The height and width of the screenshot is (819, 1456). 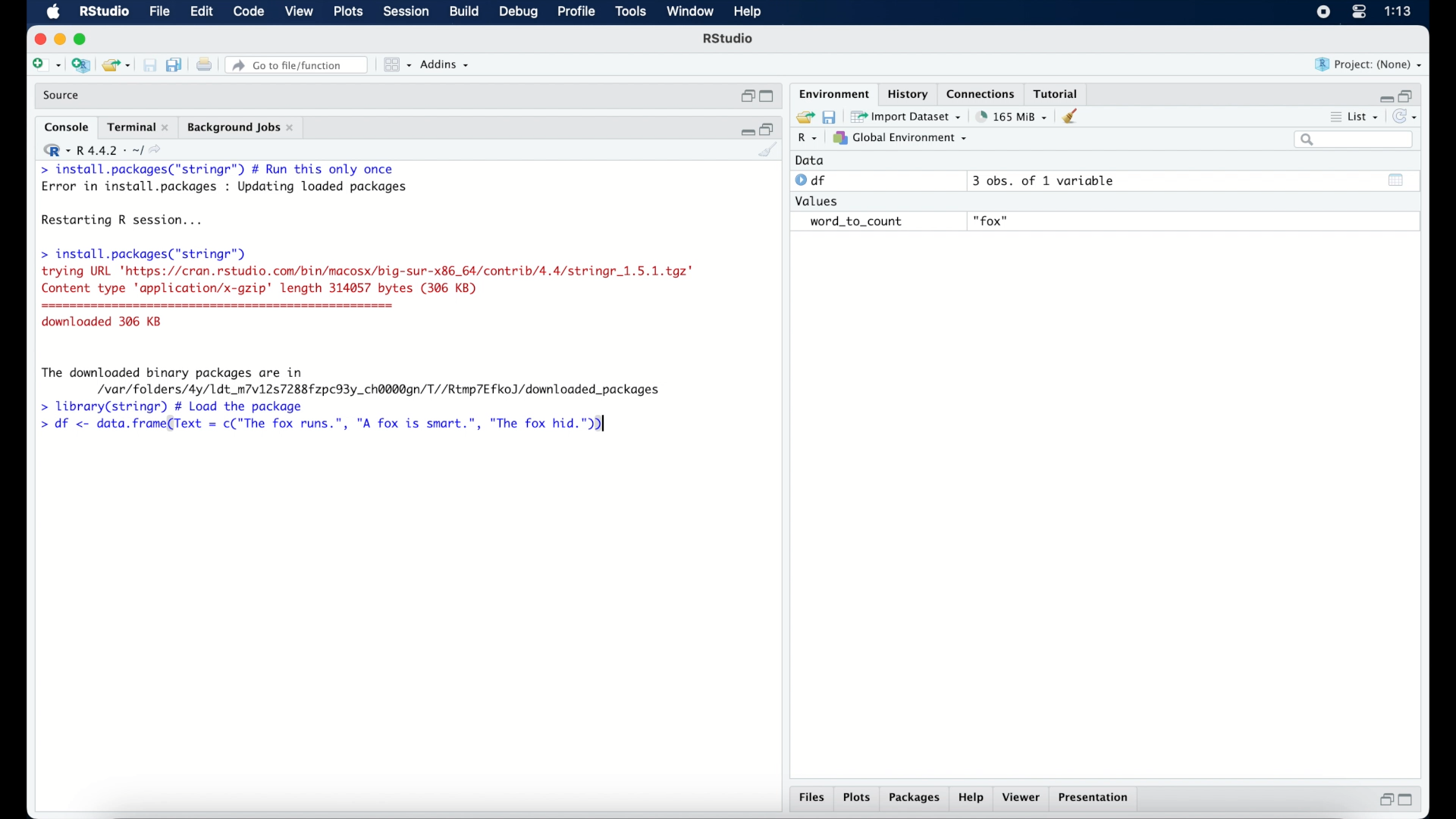 What do you see at coordinates (221, 170) in the screenshot?
I see `> install.packages("stringr") # Run this only once|` at bounding box center [221, 170].